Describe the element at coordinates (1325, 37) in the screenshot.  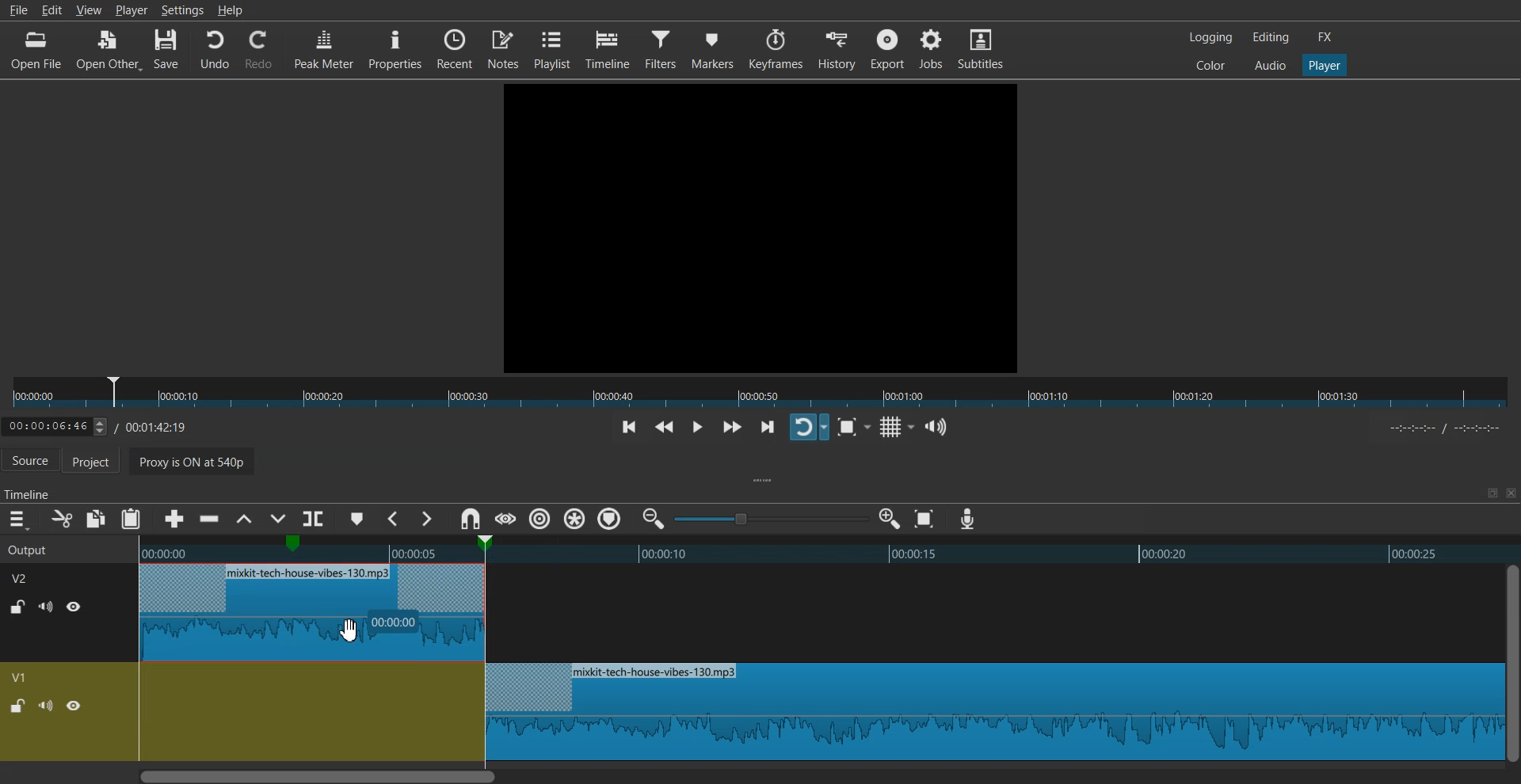
I see `FX` at that location.